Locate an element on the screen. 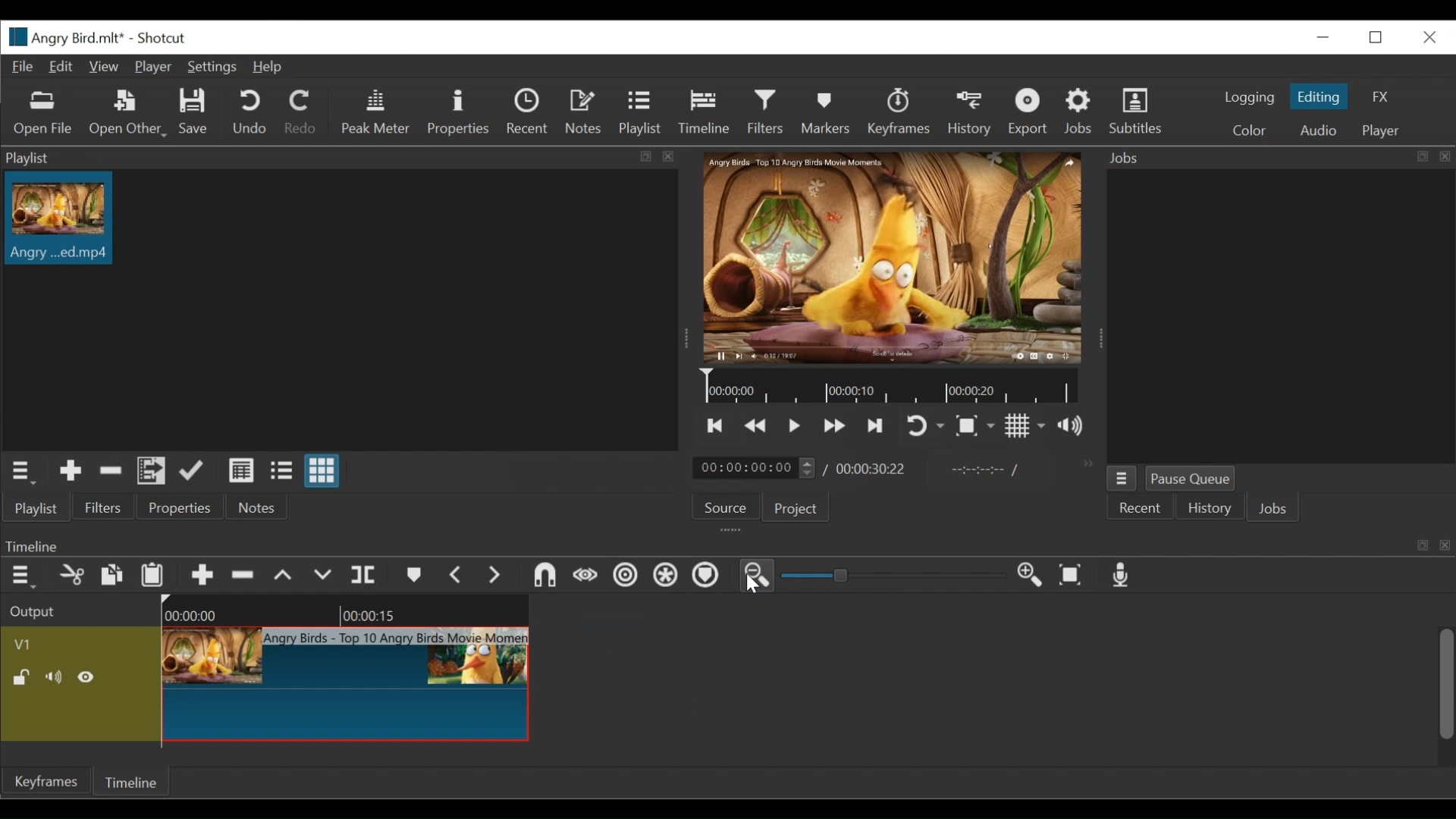 The height and width of the screenshot is (819, 1456). In point is located at coordinates (977, 471).